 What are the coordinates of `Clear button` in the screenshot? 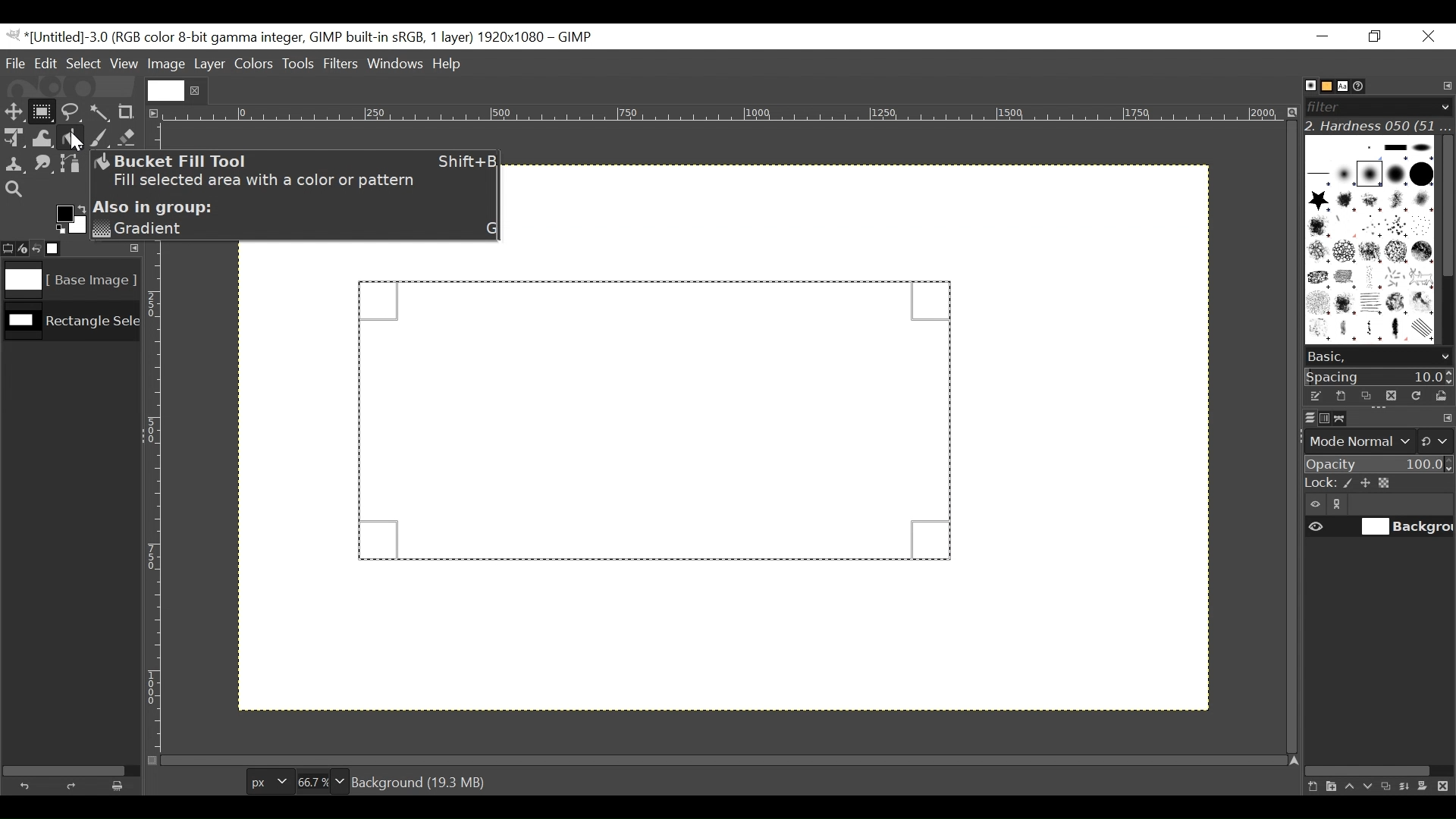 It's located at (122, 786).